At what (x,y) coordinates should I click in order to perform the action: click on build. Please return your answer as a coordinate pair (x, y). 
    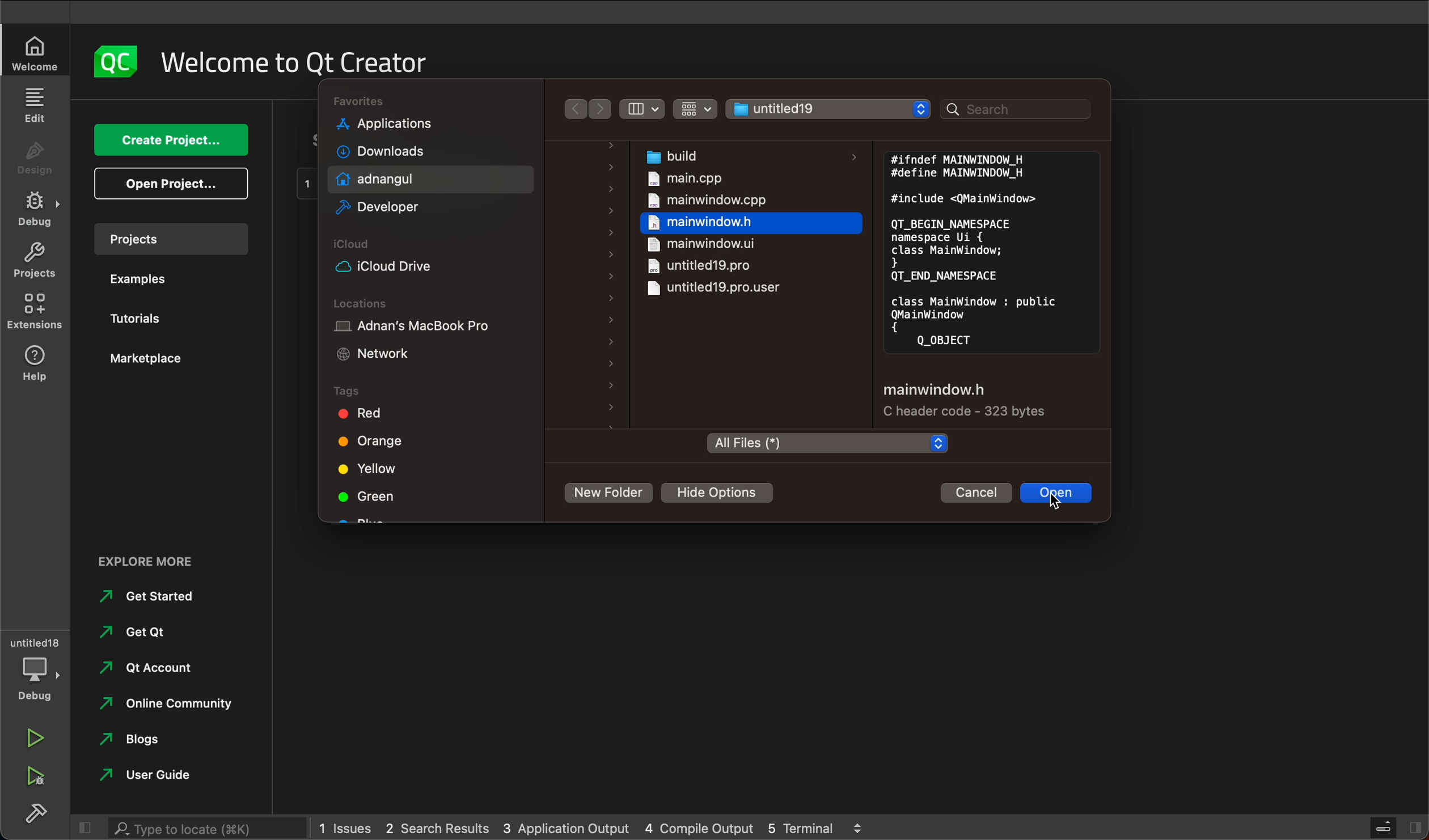
    Looking at the image, I should click on (754, 155).